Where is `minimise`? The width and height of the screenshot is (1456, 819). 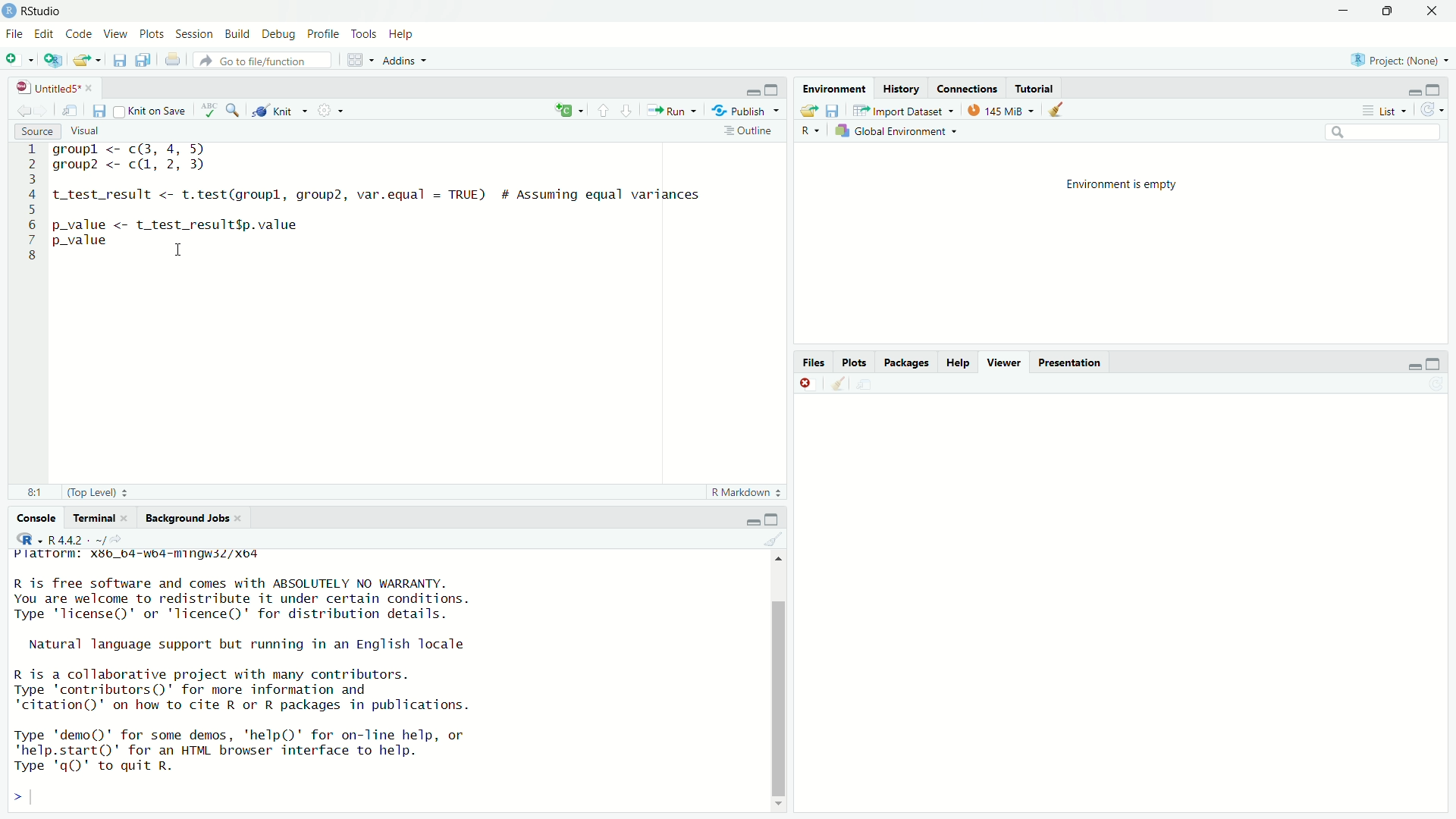 minimise is located at coordinates (753, 91).